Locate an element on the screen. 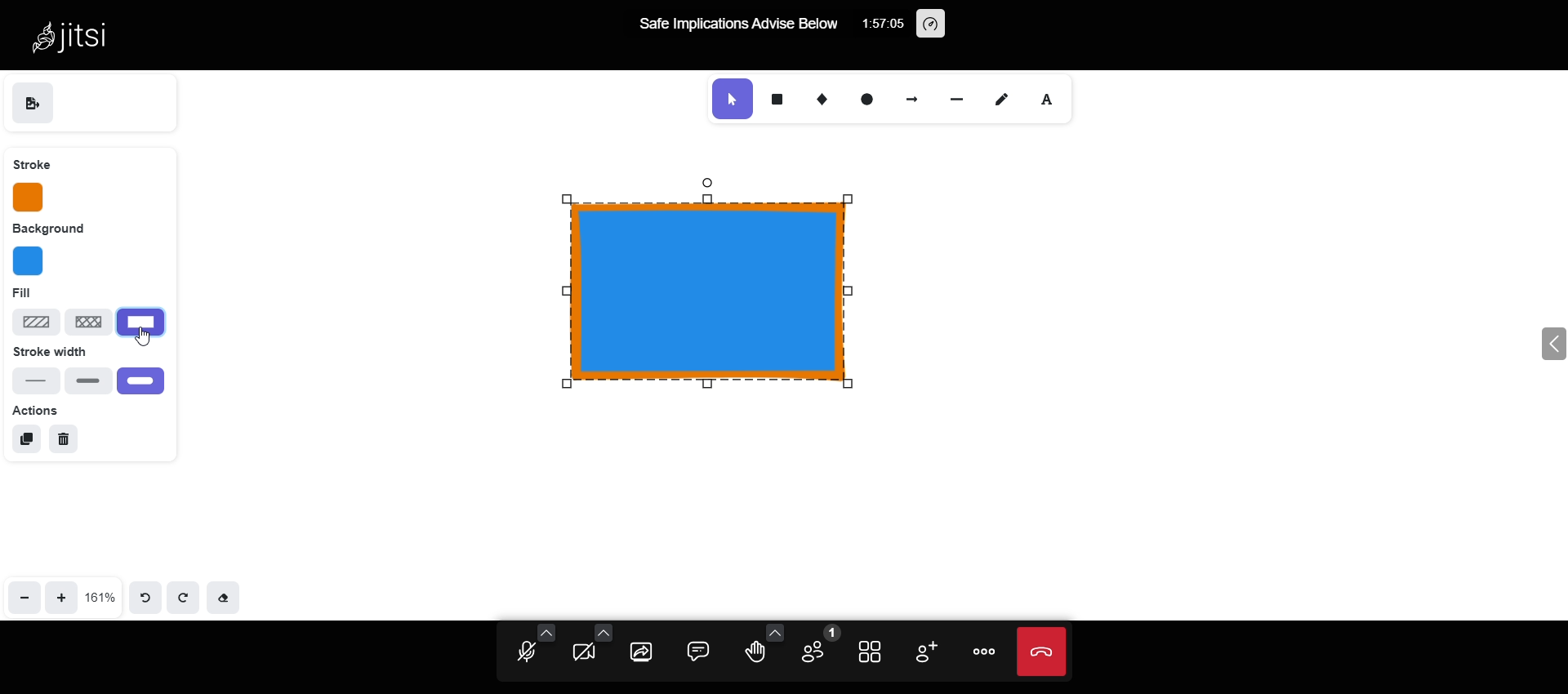 The height and width of the screenshot is (694, 1568). diamond is located at coordinates (819, 98).